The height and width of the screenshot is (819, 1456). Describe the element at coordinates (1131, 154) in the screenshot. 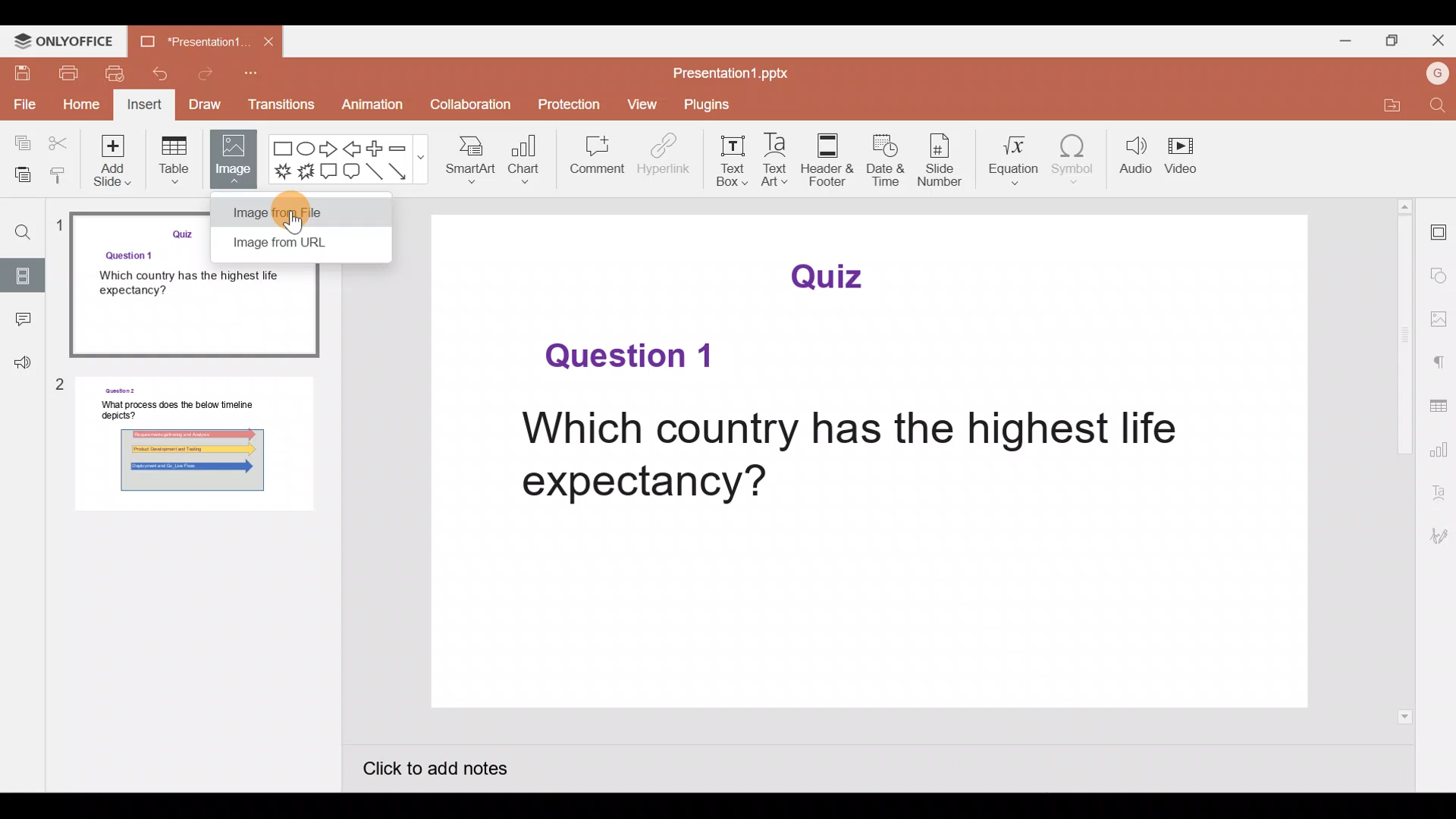

I see `Audio` at that location.